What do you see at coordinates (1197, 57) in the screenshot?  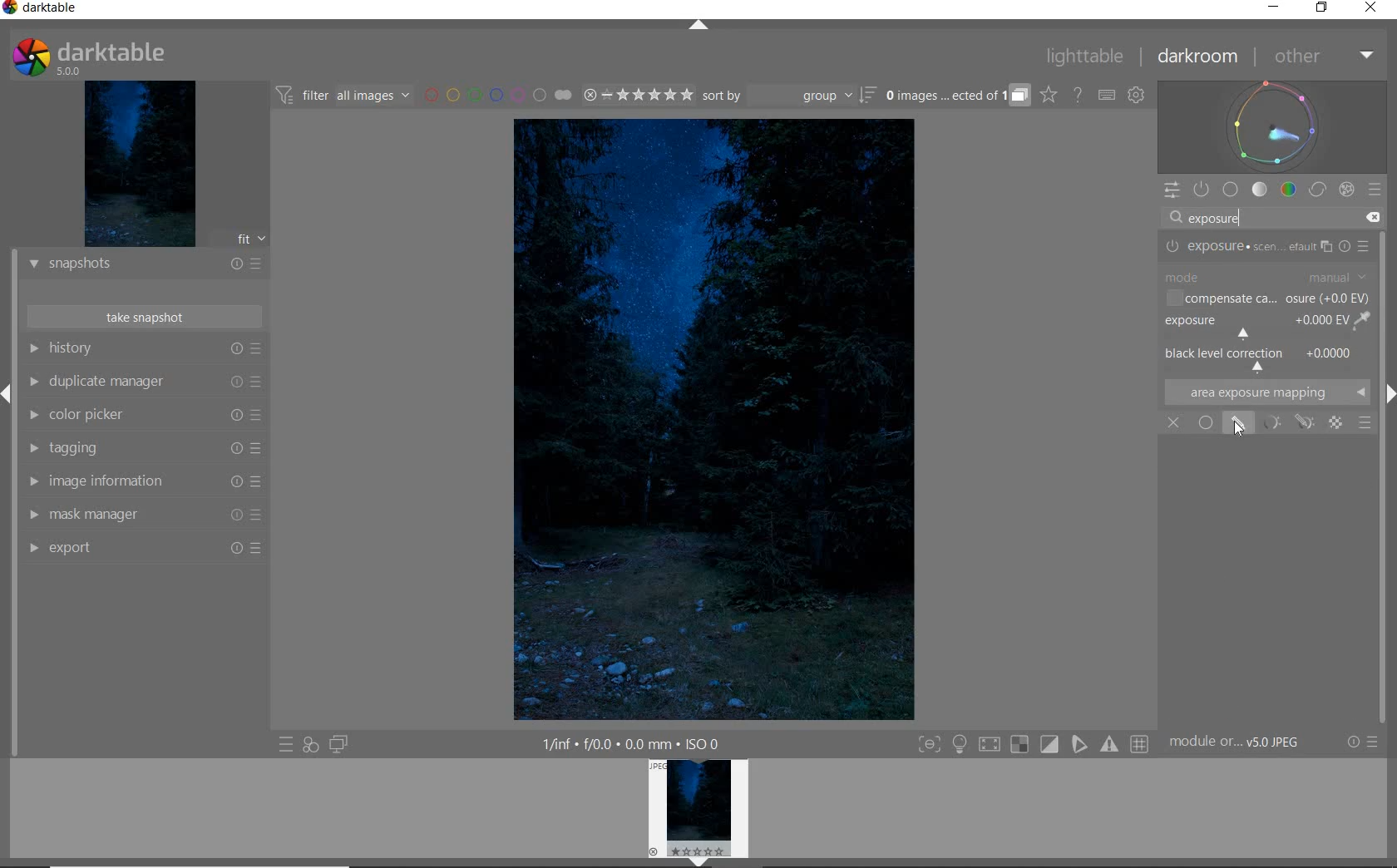 I see `DARKROOM` at bounding box center [1197, 57].